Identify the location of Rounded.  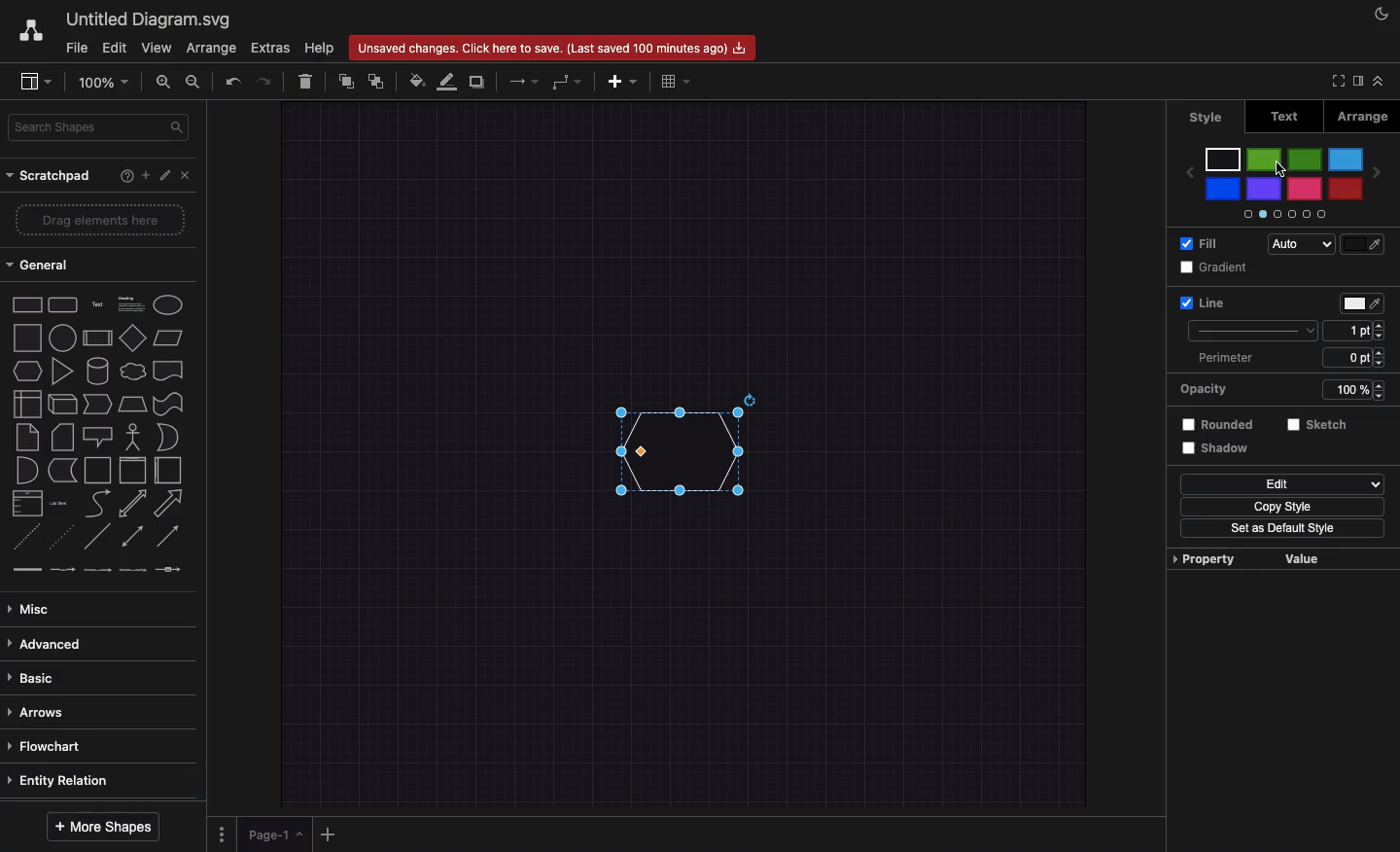
(1219, 425).